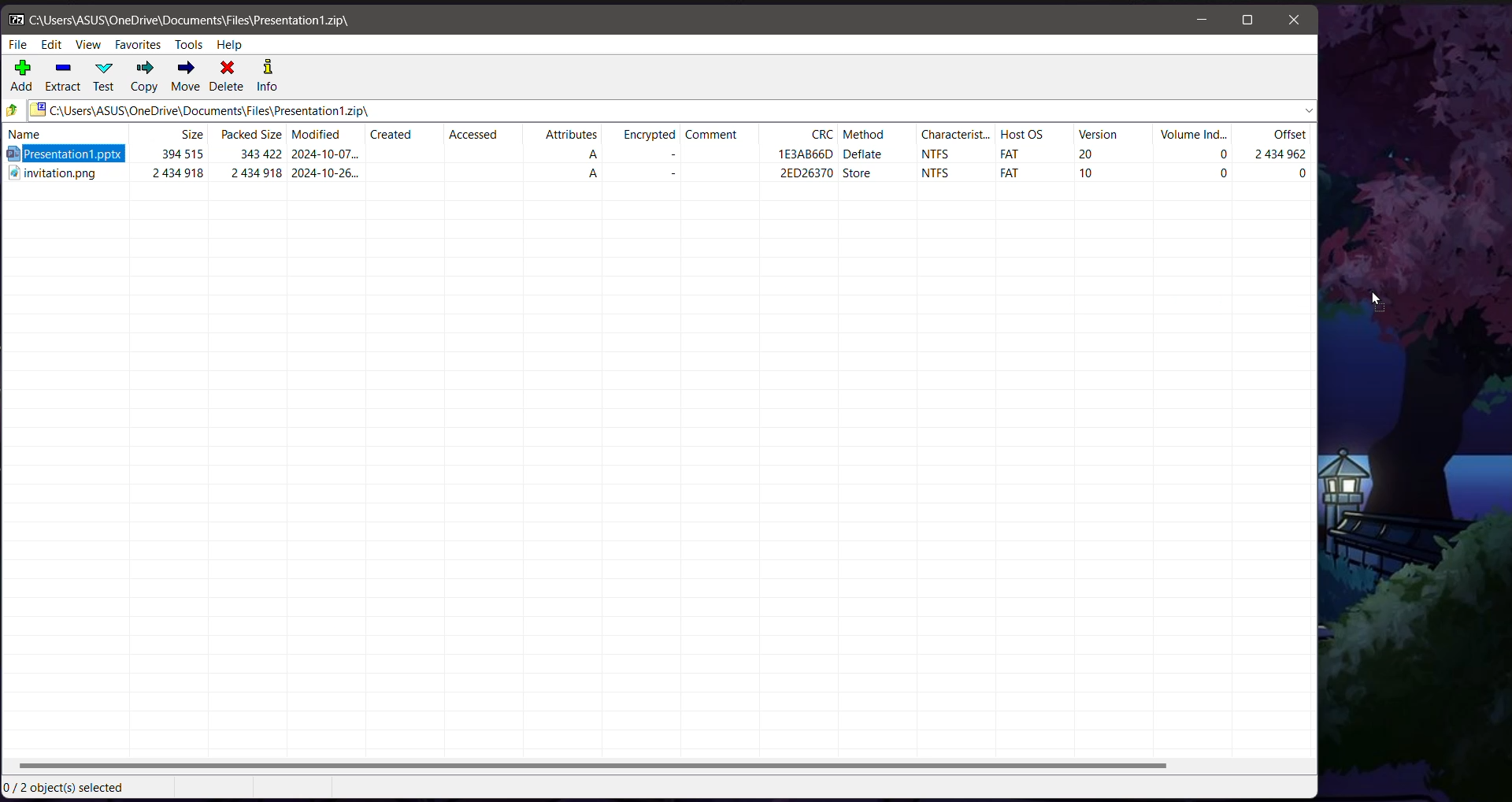 The width and height of the screenshot is (1512, 802). What do you see at coordinates (91, 45) in the screenshot?
I see `View` at bounding box center [91, 45].